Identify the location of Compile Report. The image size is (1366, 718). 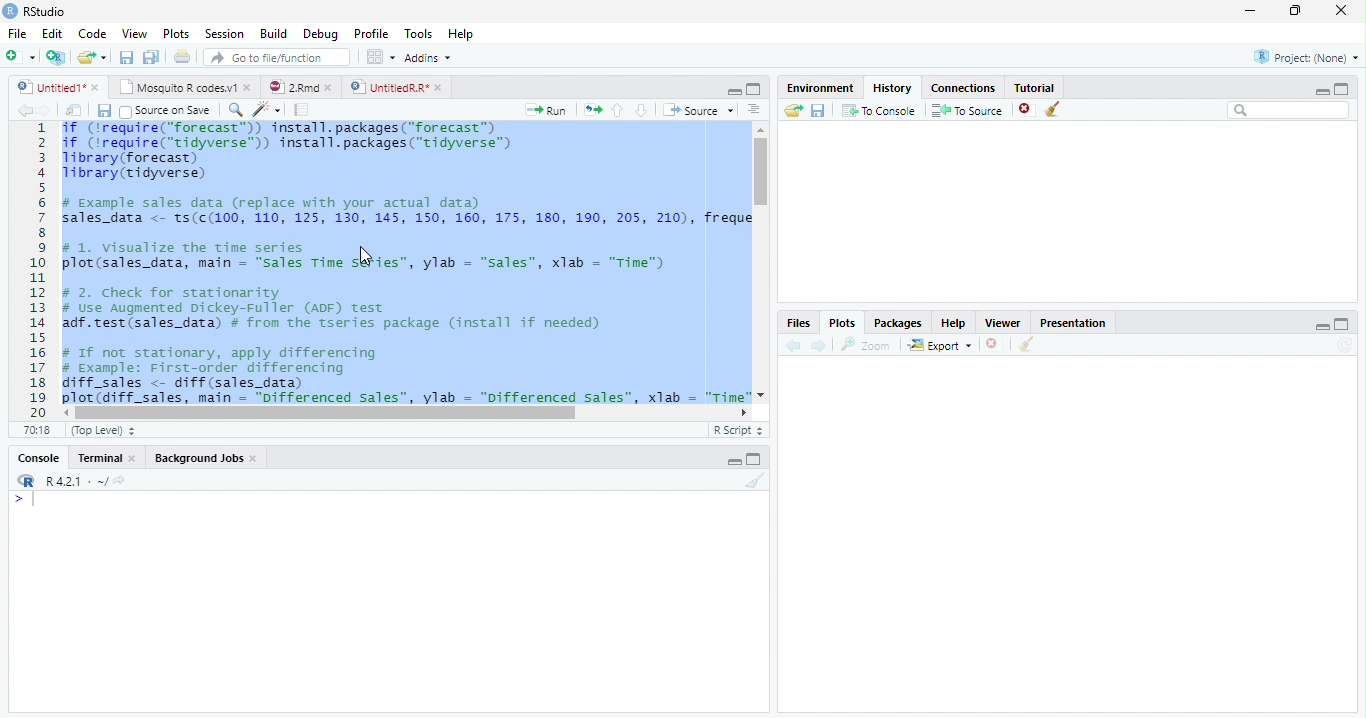
(303, 109).